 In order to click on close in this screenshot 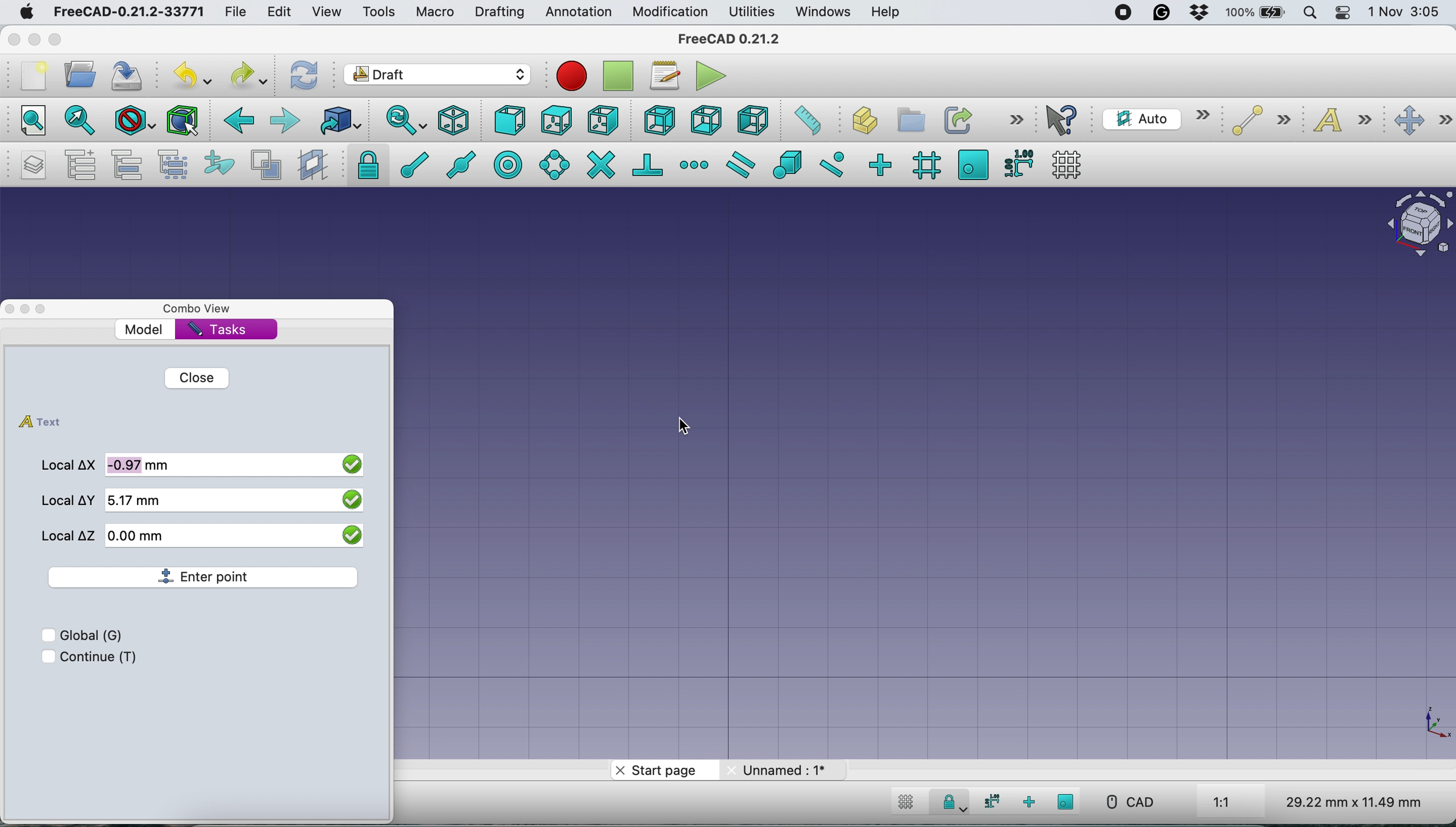, I will do `click(10, 307)`.